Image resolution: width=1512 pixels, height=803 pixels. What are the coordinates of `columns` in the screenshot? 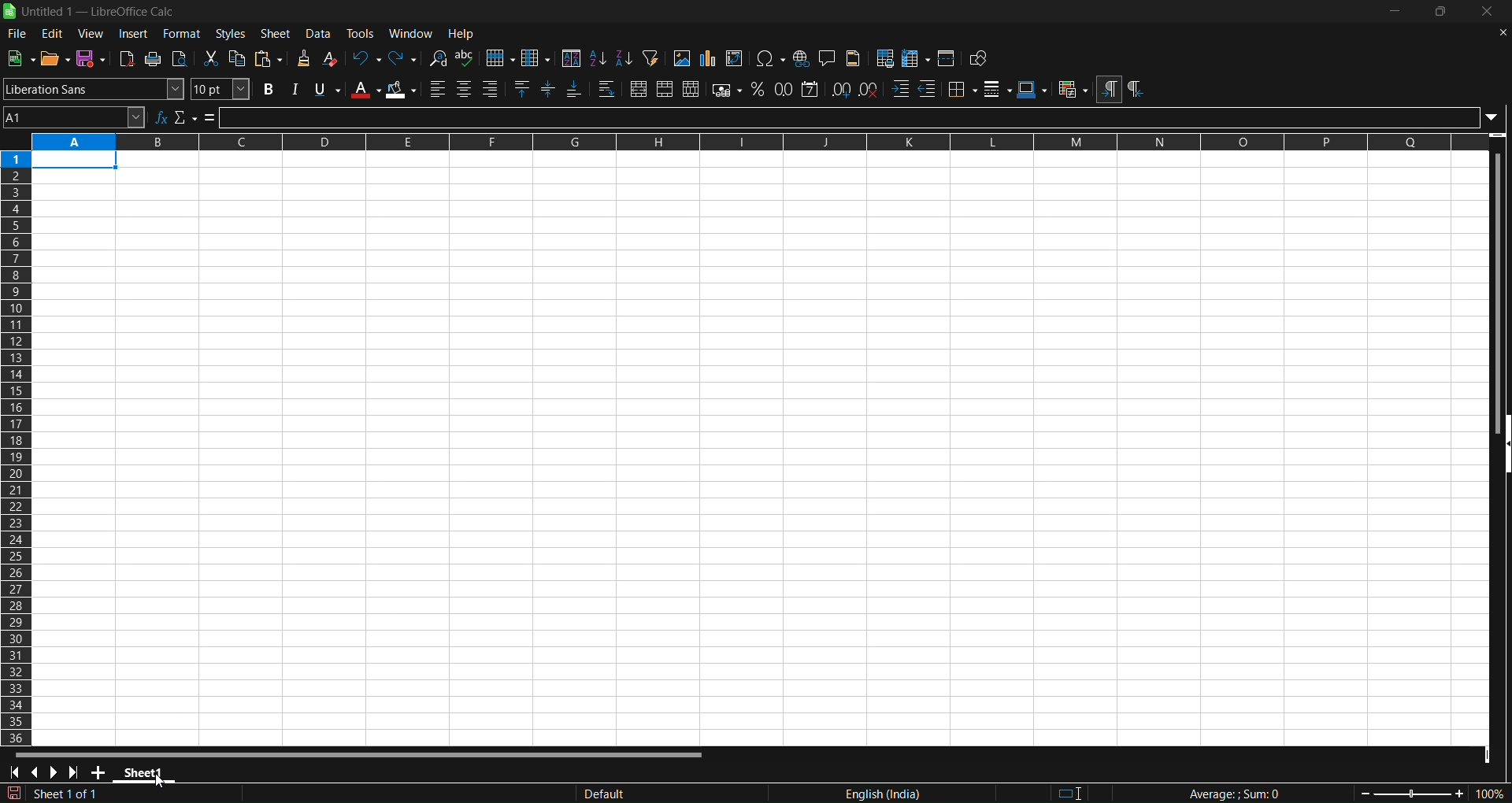 It's located at (17, 444).